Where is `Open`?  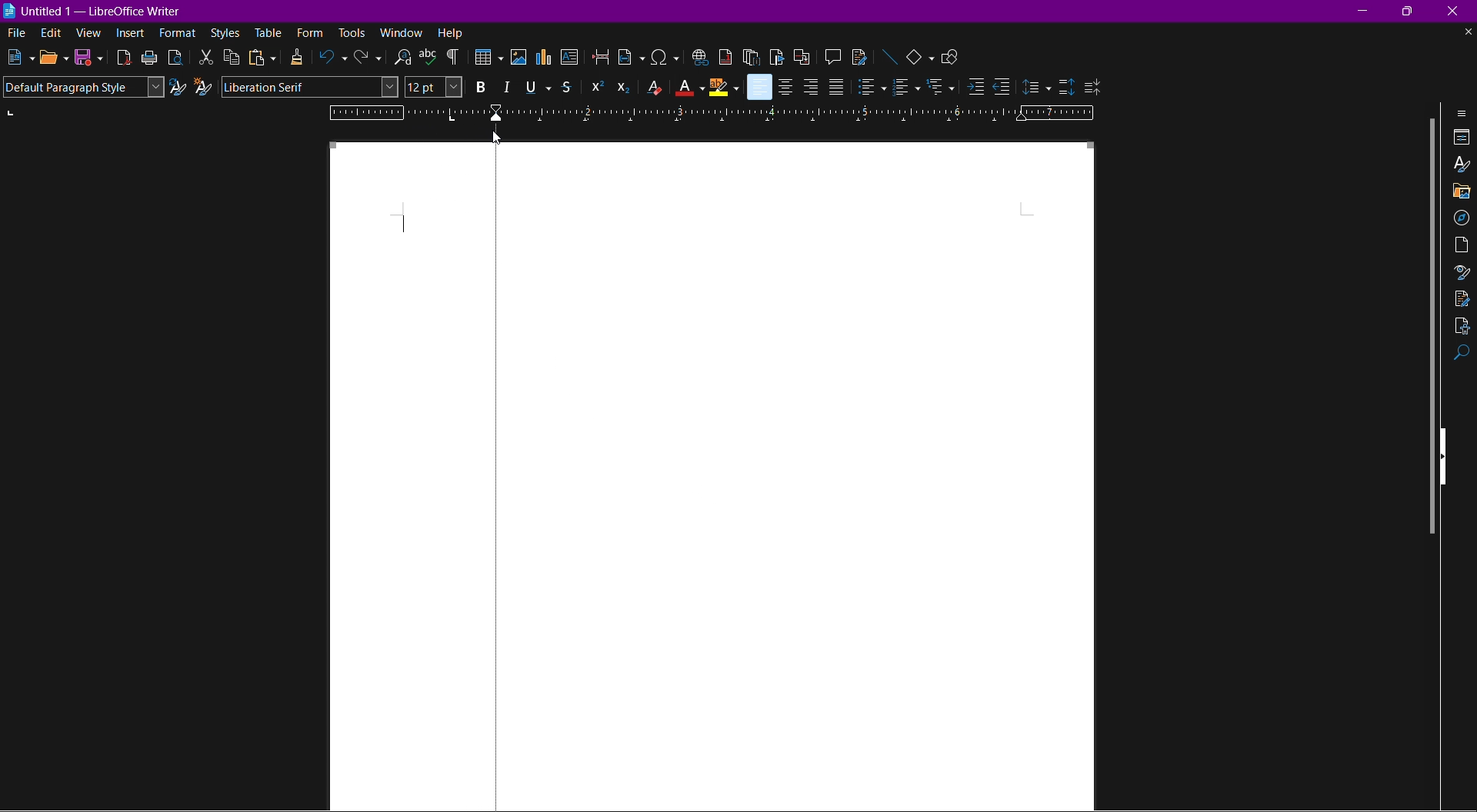 Open is located at coordinates (54, 58).